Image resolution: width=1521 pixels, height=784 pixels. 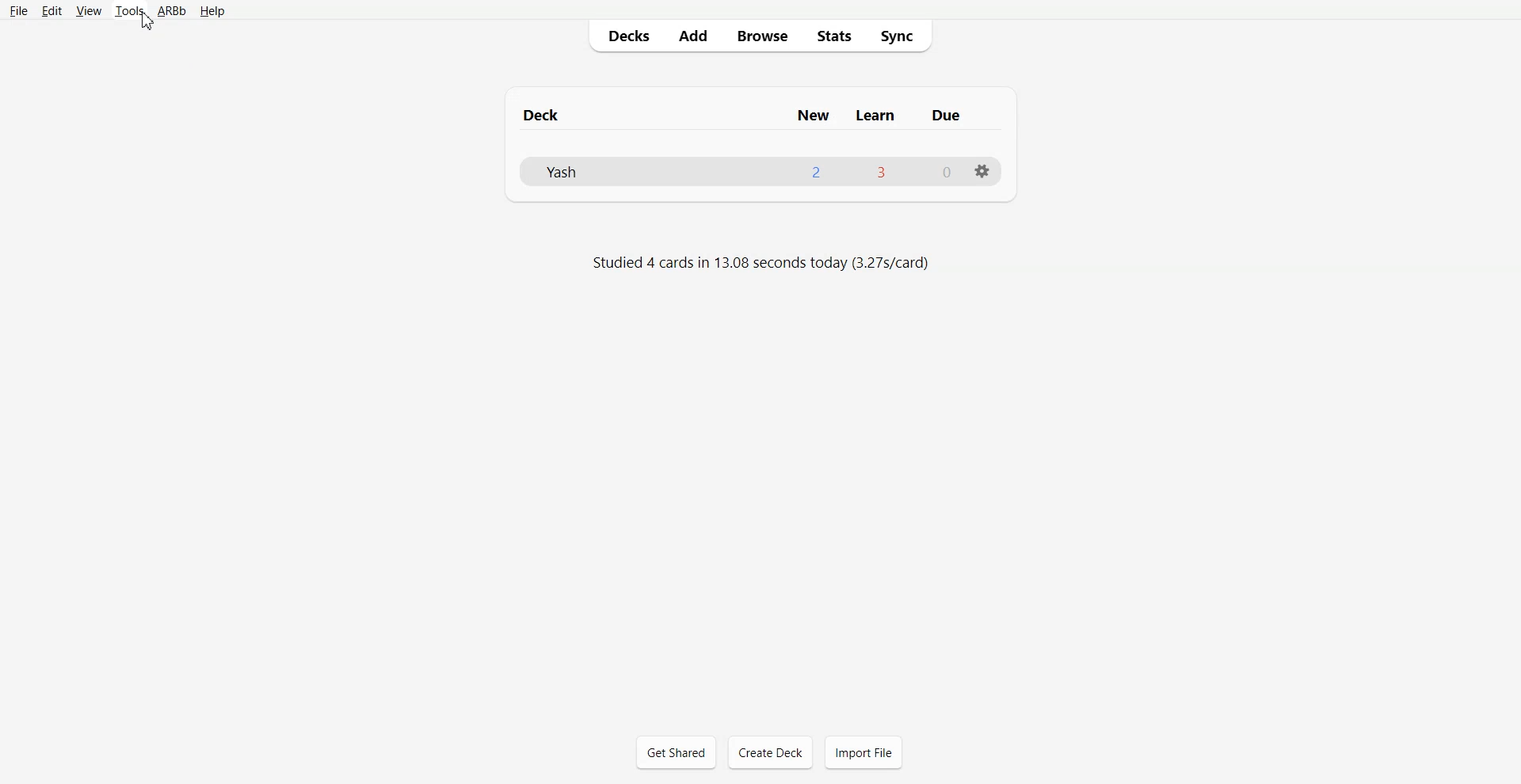 I want to click on Create Deck, so click(x=770, y=752).